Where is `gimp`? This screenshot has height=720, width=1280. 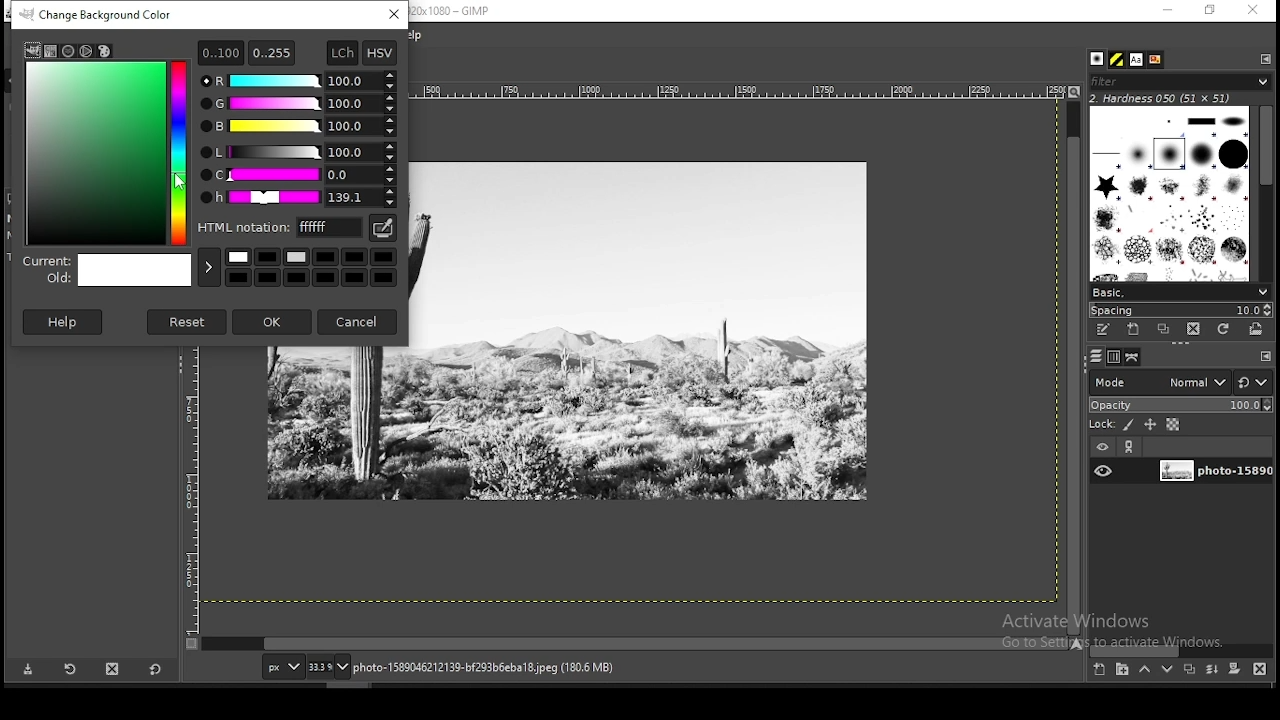 gimp is located at coordinates (32, 50).